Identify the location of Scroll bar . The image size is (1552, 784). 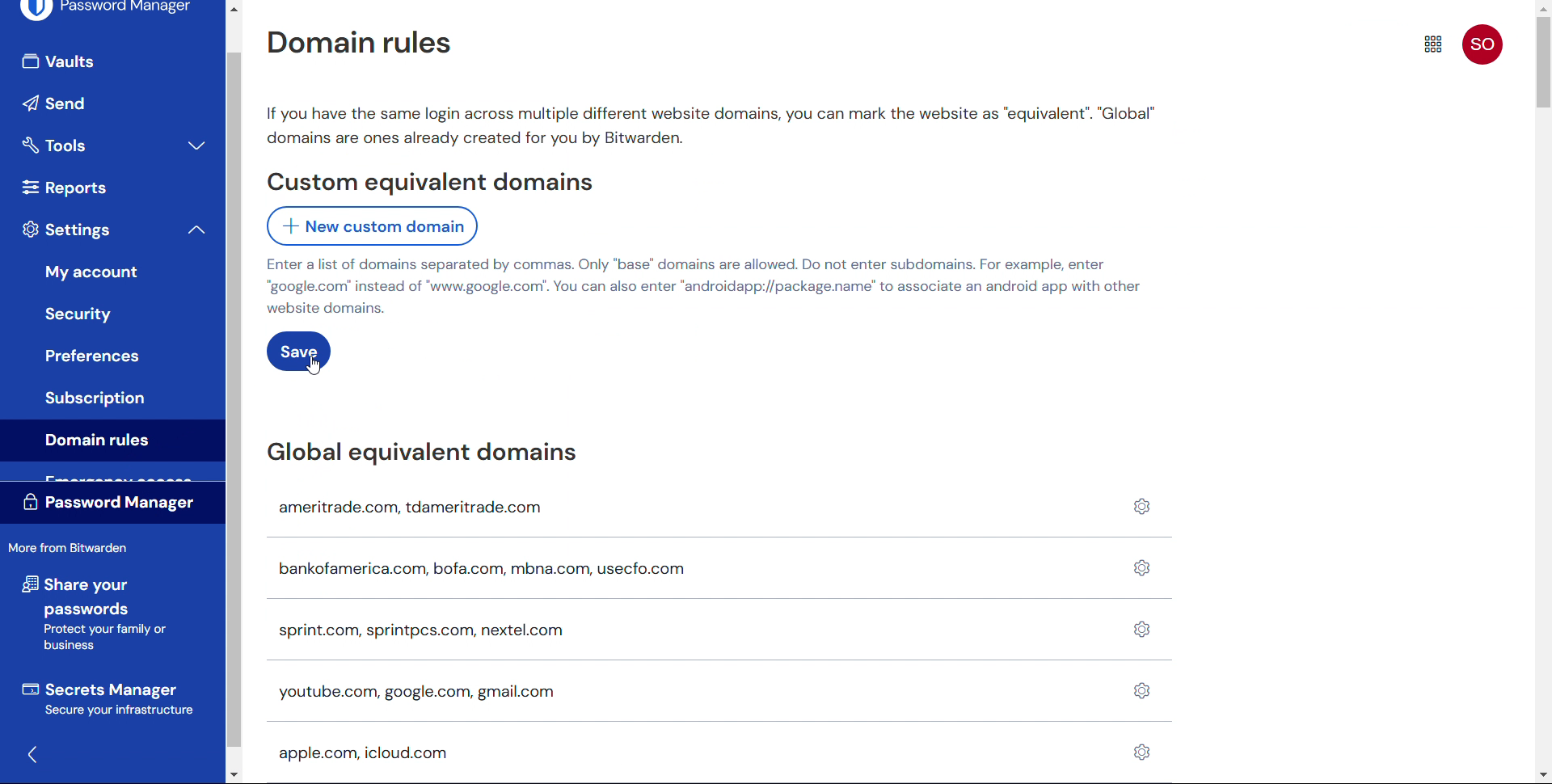
(1542, 63).